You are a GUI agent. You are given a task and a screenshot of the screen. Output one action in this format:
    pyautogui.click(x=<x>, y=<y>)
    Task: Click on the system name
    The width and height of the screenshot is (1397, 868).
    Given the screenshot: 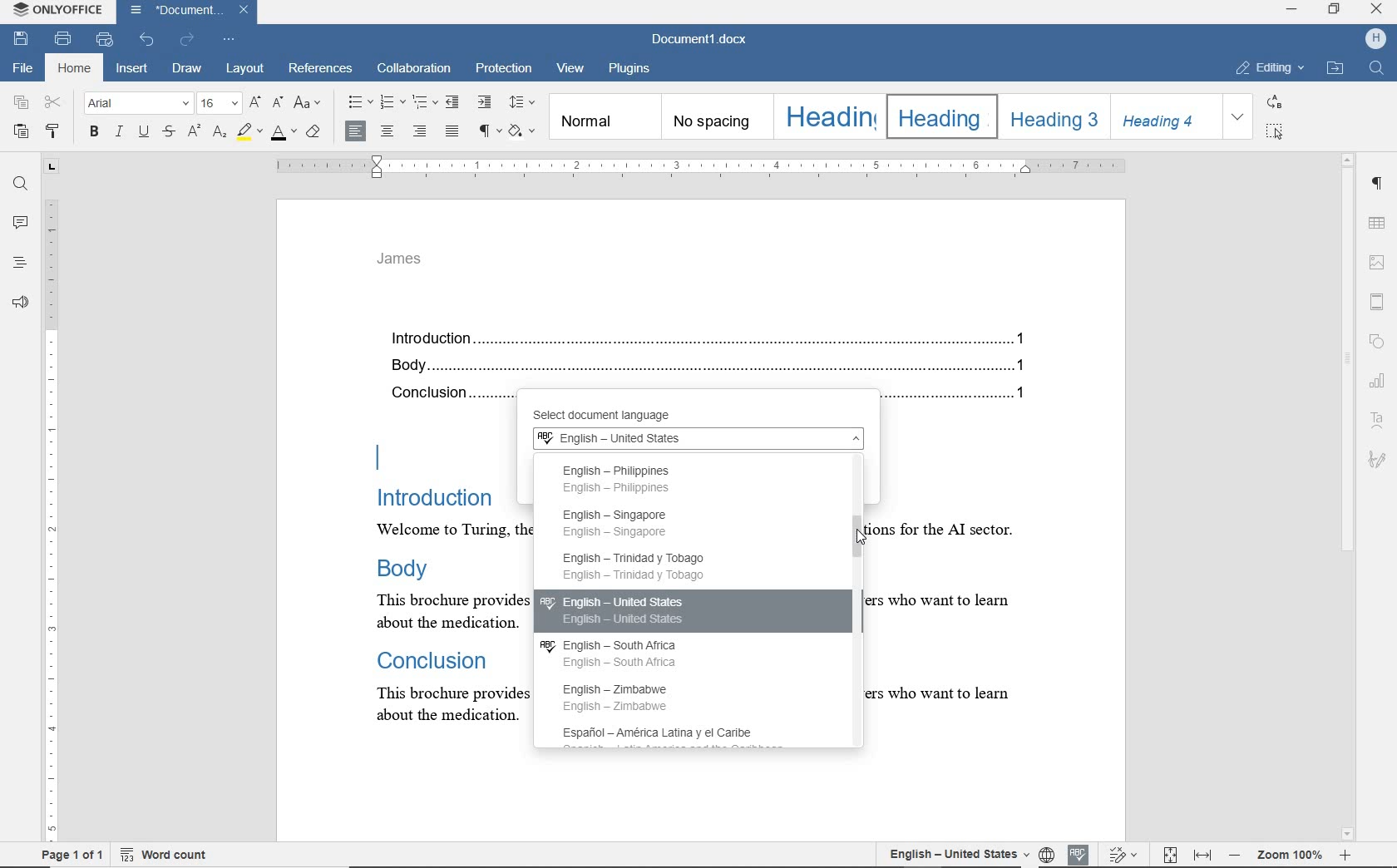 What is the action you would take?
    pyautogui.click(x=58, y=12)
    